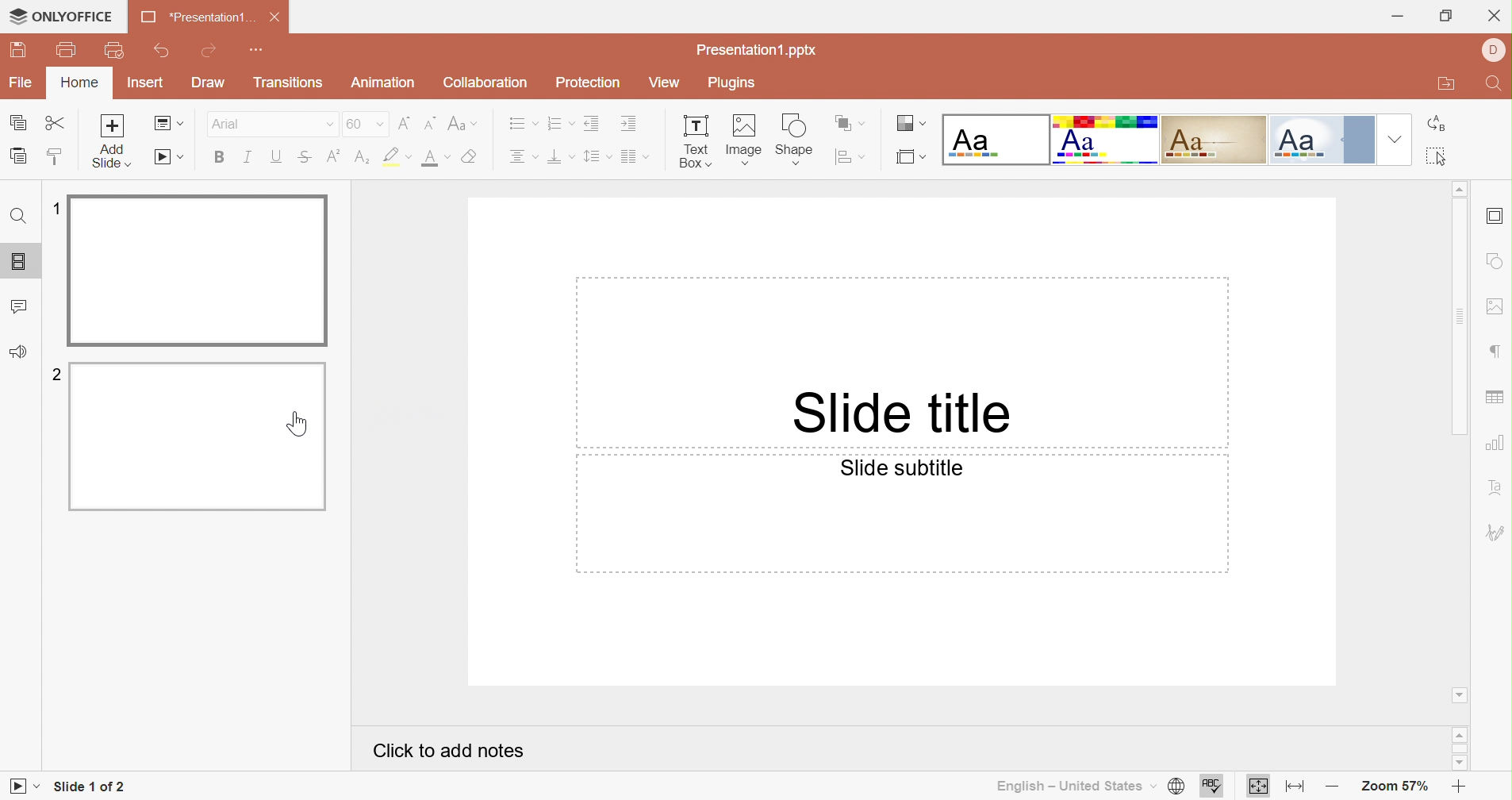 The width and height of the screenshot is (1512, 800). What do you see at coordinates (21, 787) in the screenshot?
I see `` at bounding box center [21, 787].